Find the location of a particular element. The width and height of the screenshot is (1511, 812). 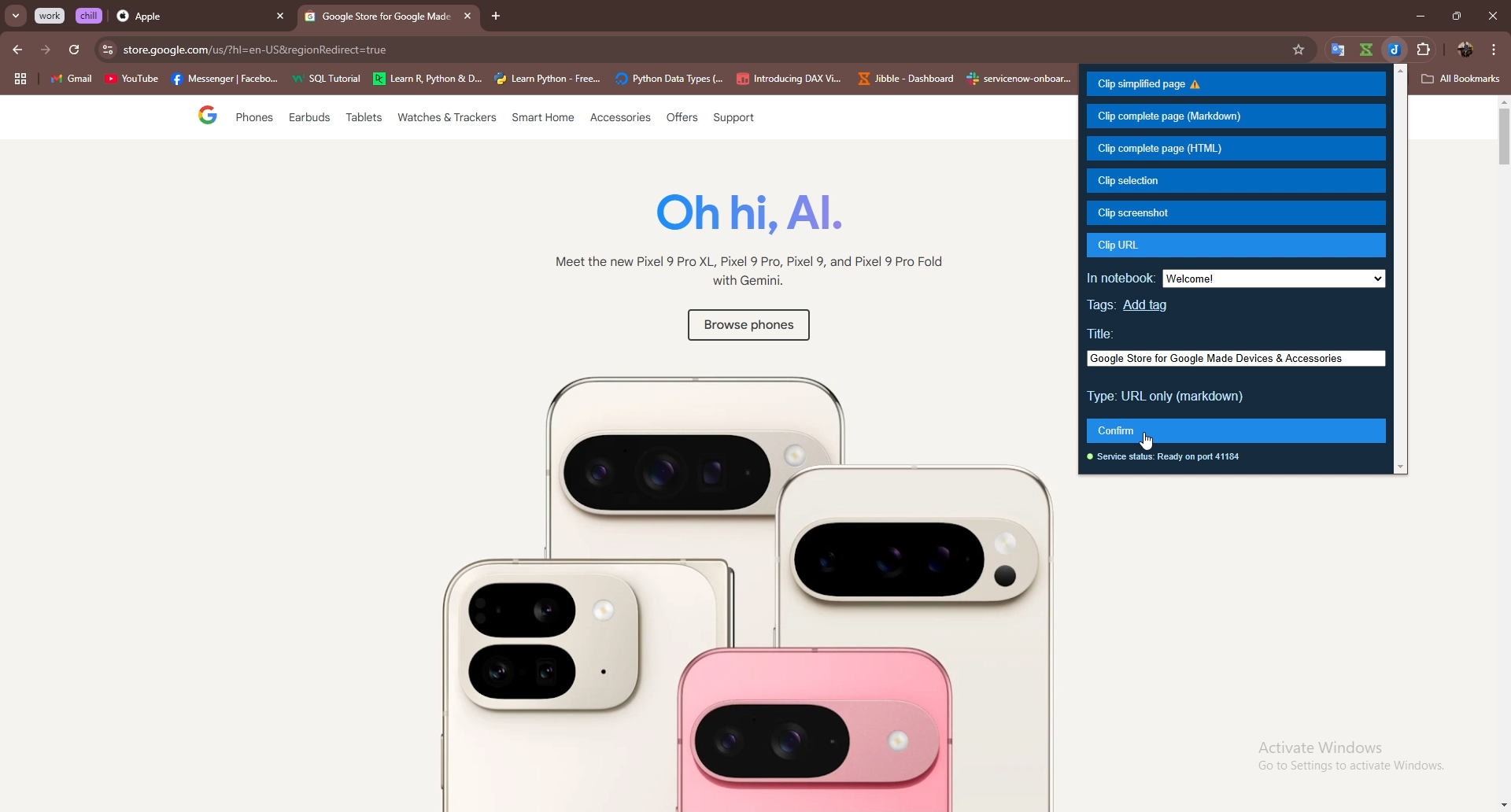

gmail is located at coordinates (71, 80).